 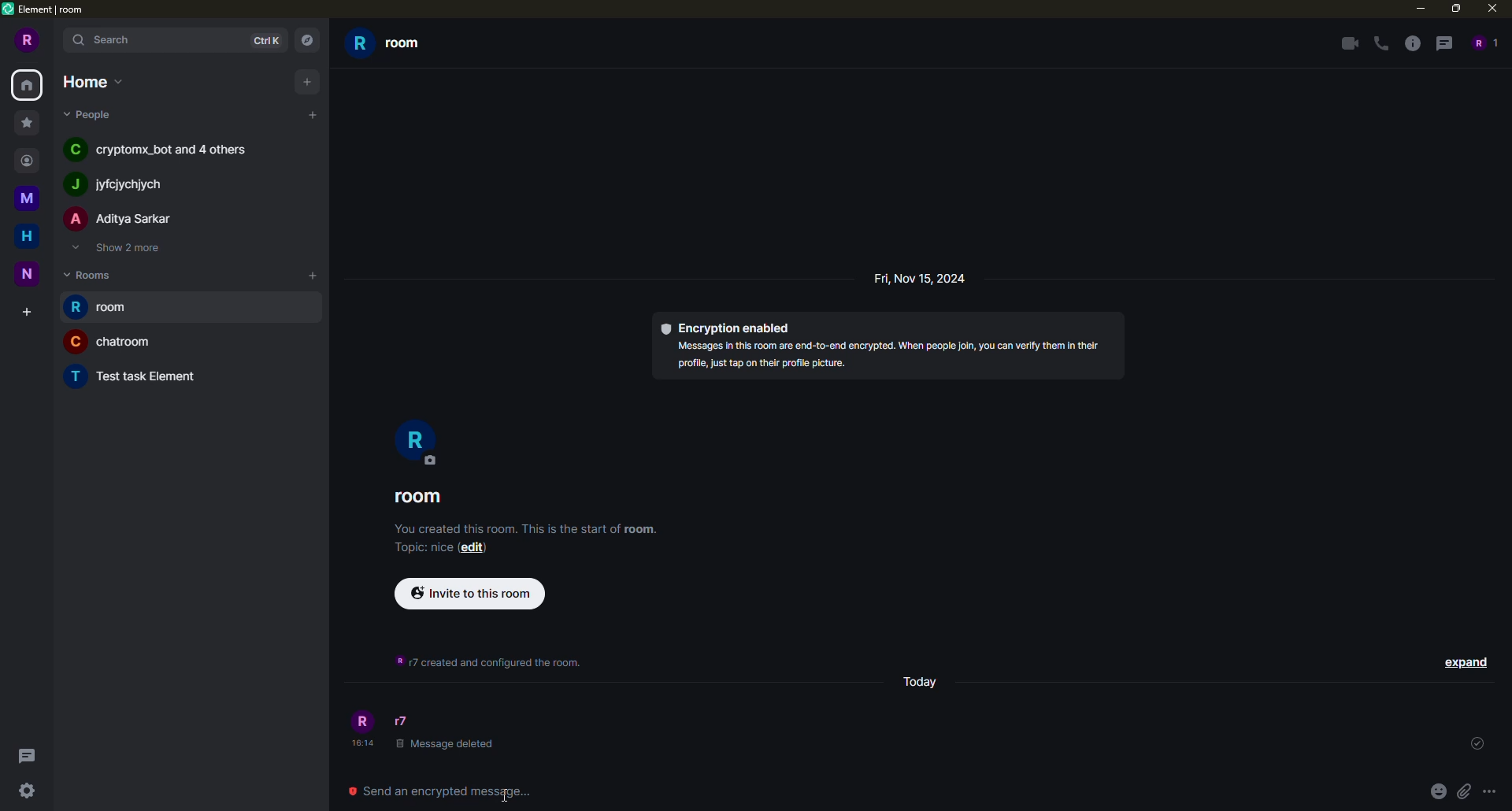 I want to click on room, so click(x=392, y=45).